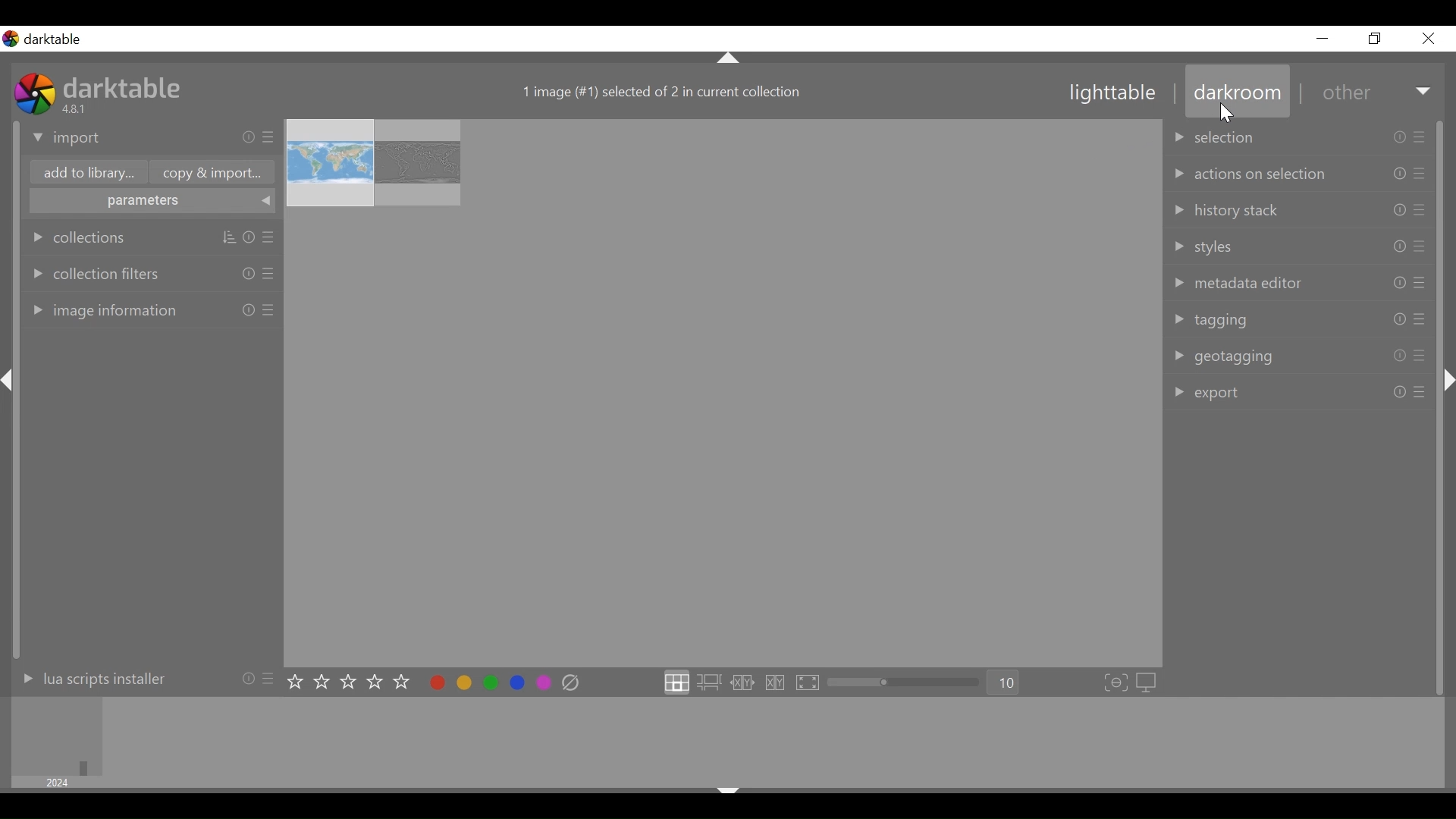 This screenshot has width=1456, height=819. What do you see at coordinates (1147, 684) in the screenshot?
I see `Set display profile` at bounding box center [1147, 684].